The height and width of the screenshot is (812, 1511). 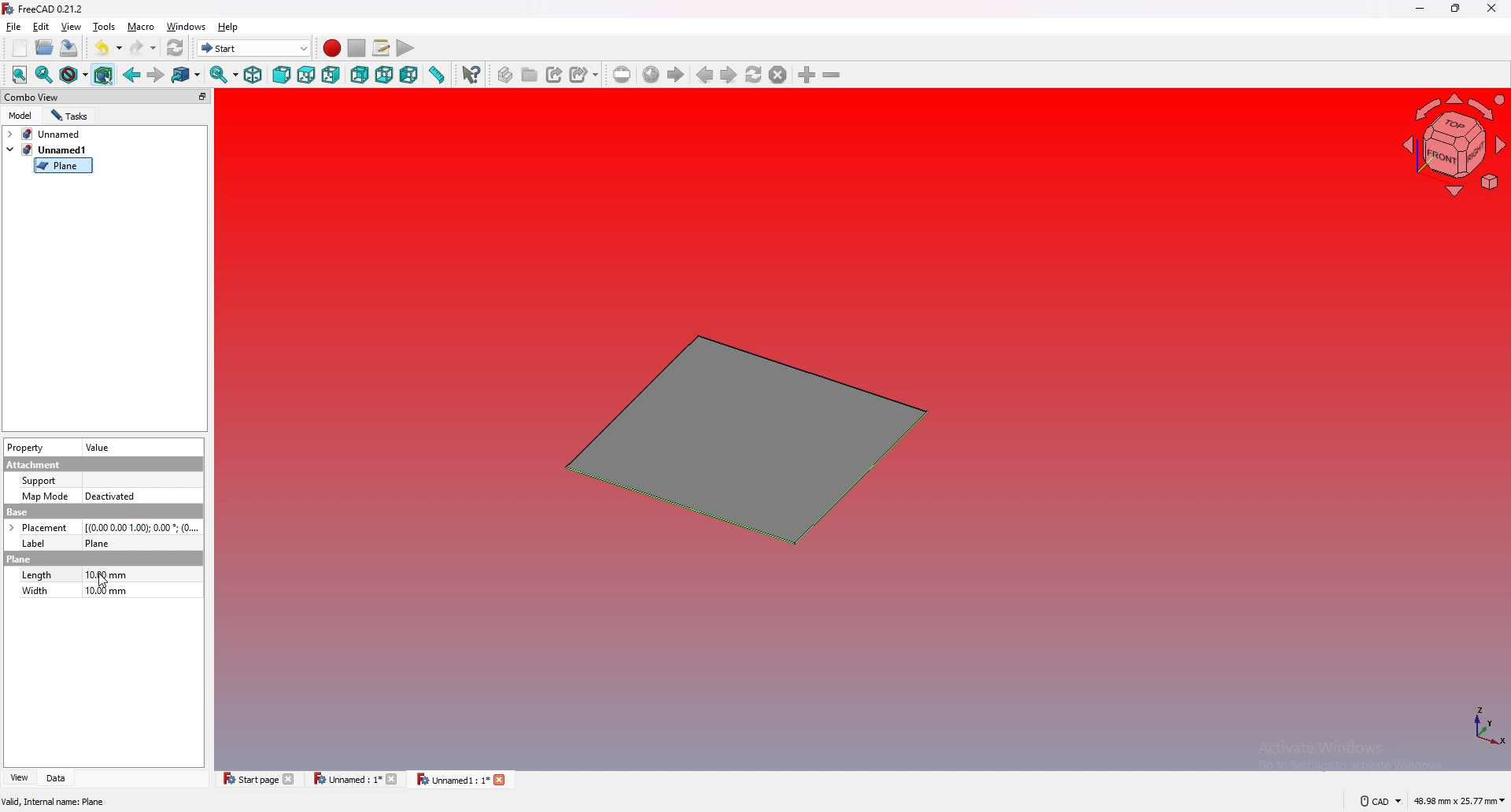 I want to click on model, so click(x=21, y=116).